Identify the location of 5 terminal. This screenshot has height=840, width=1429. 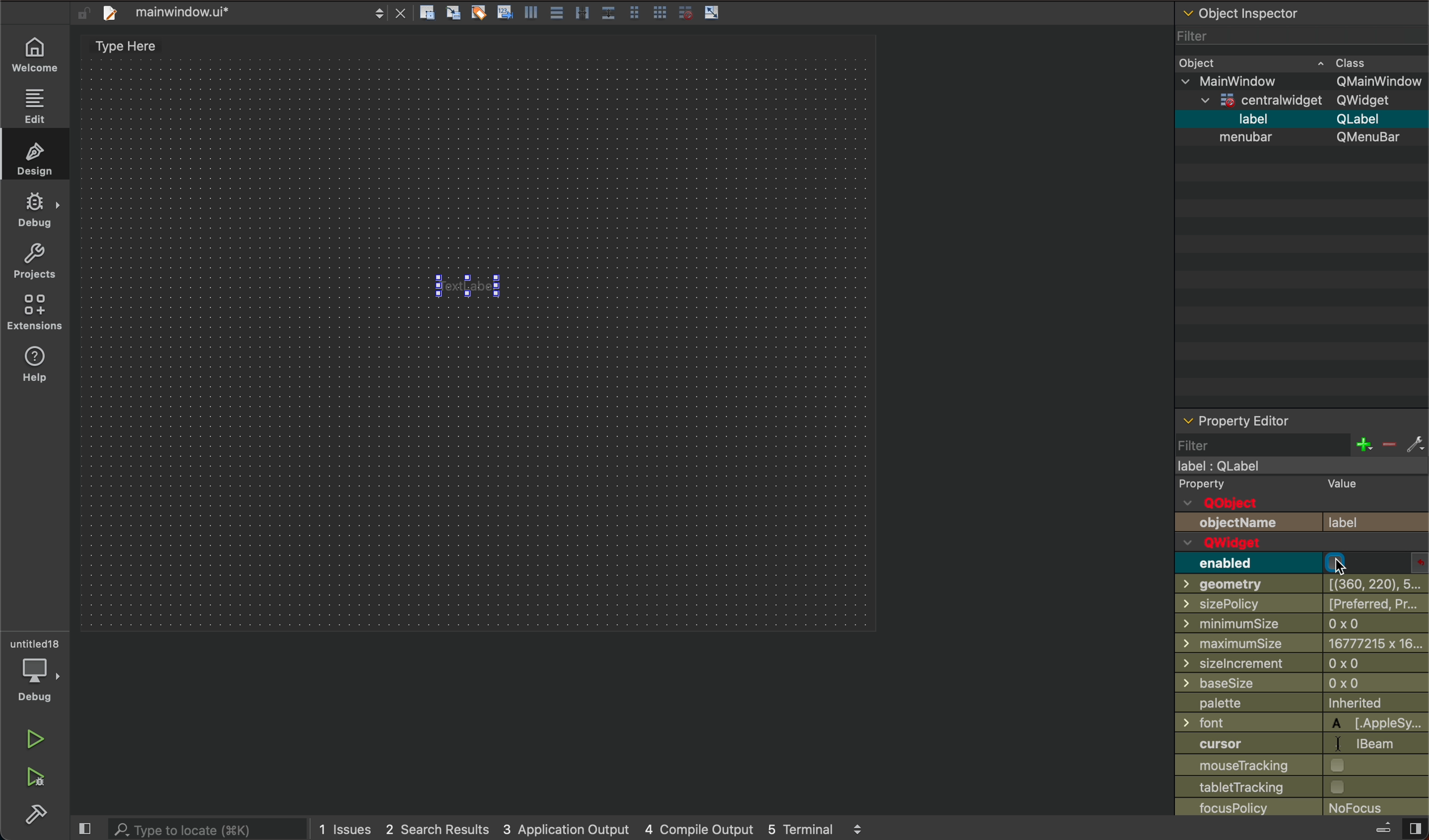
(798, 829).